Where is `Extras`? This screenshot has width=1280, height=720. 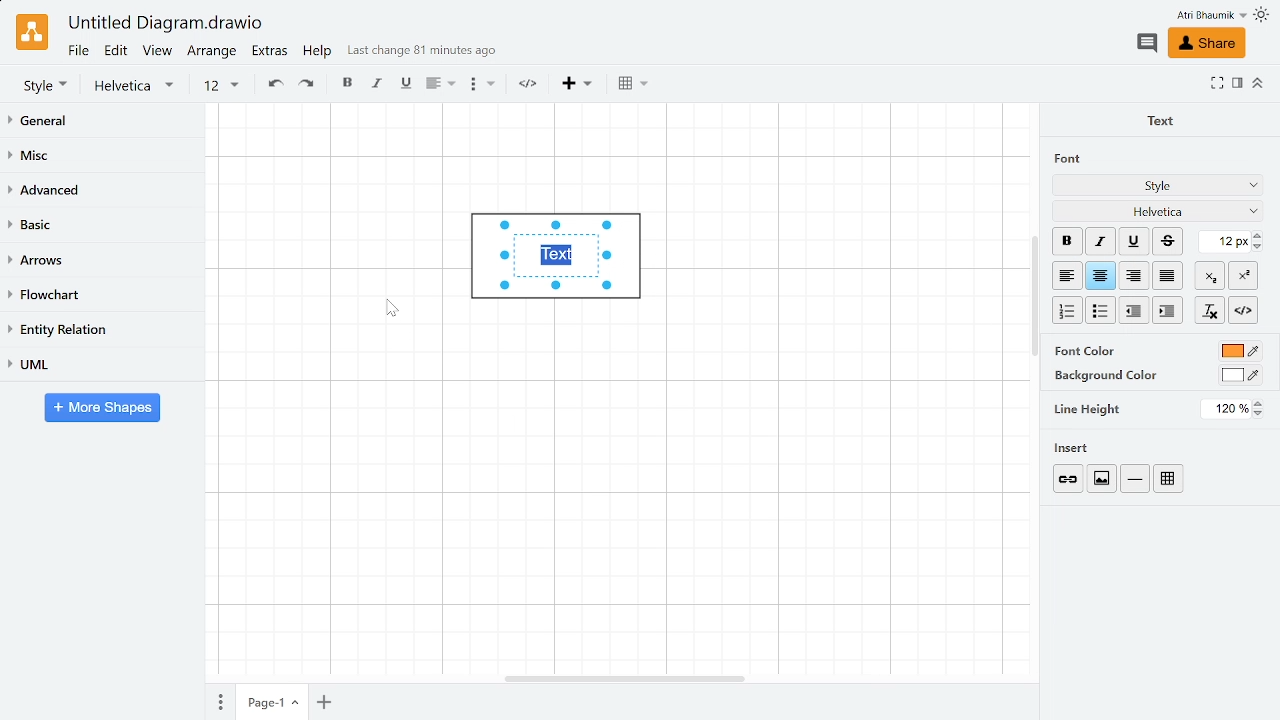 Extras is located at coordinates (272, 53).